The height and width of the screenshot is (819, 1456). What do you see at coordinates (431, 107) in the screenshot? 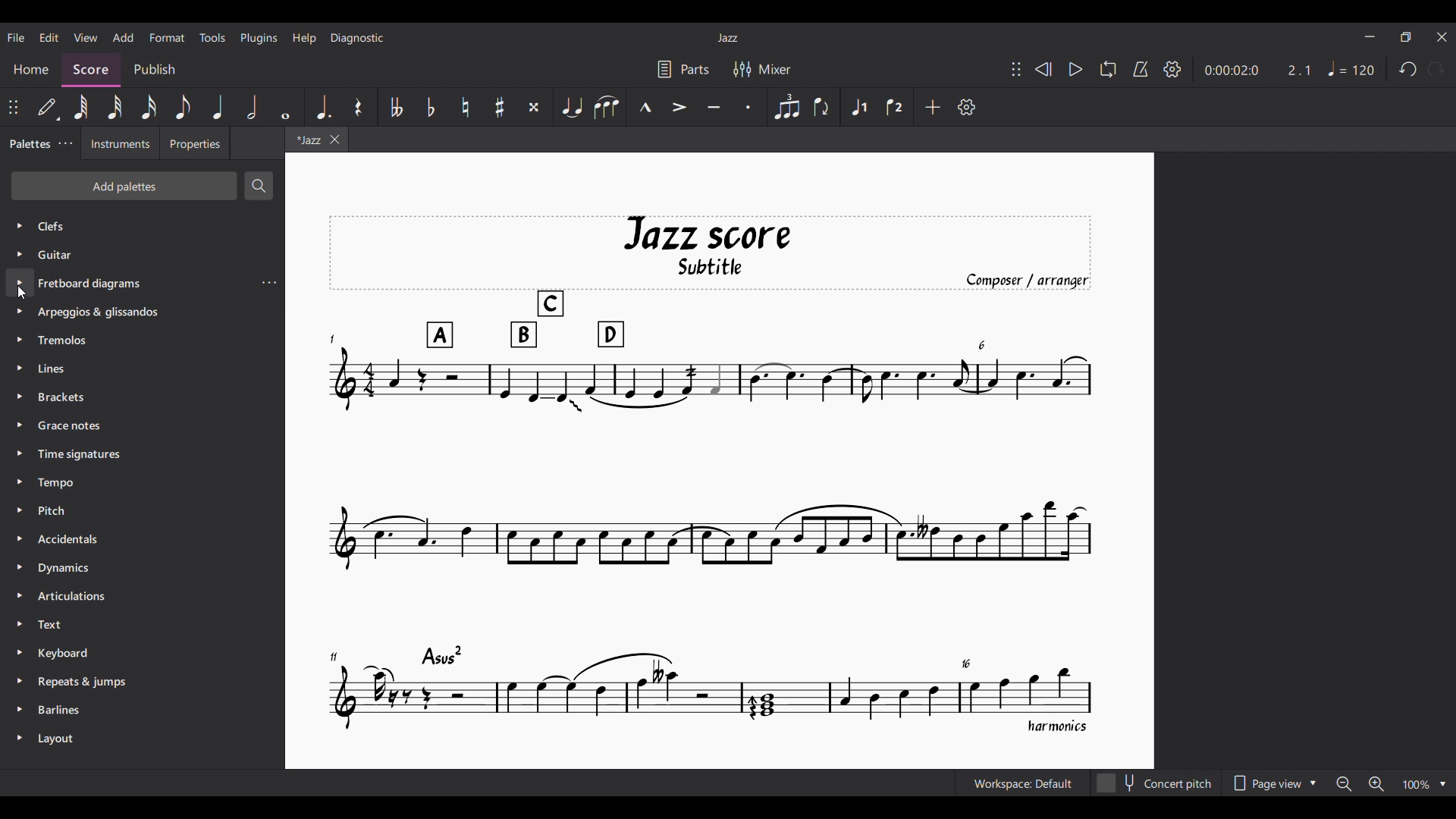
I see `Toggle flat` at bounding box center [431, 107].